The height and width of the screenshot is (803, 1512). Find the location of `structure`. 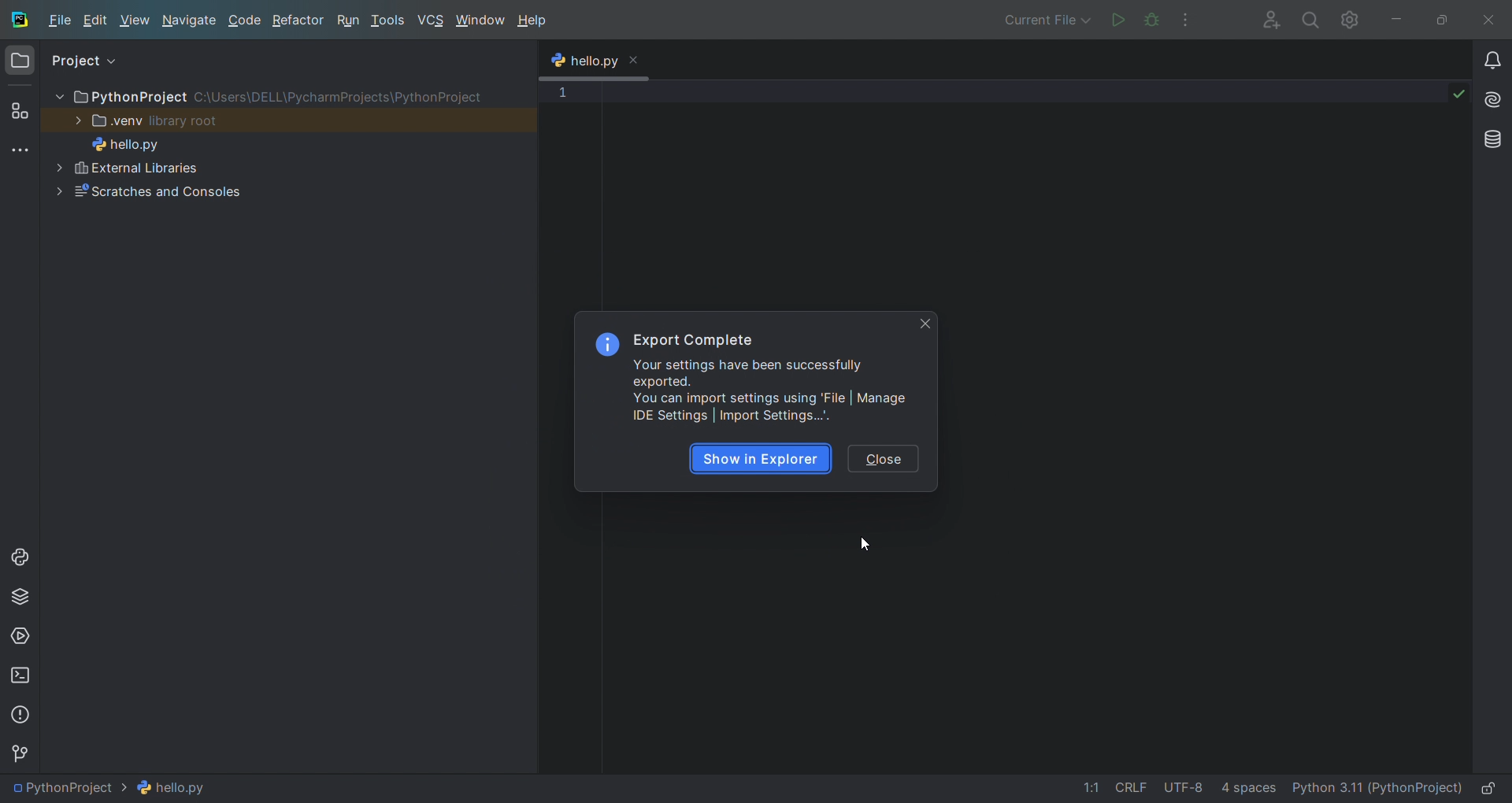

structure is located at coordinates (22, 111).